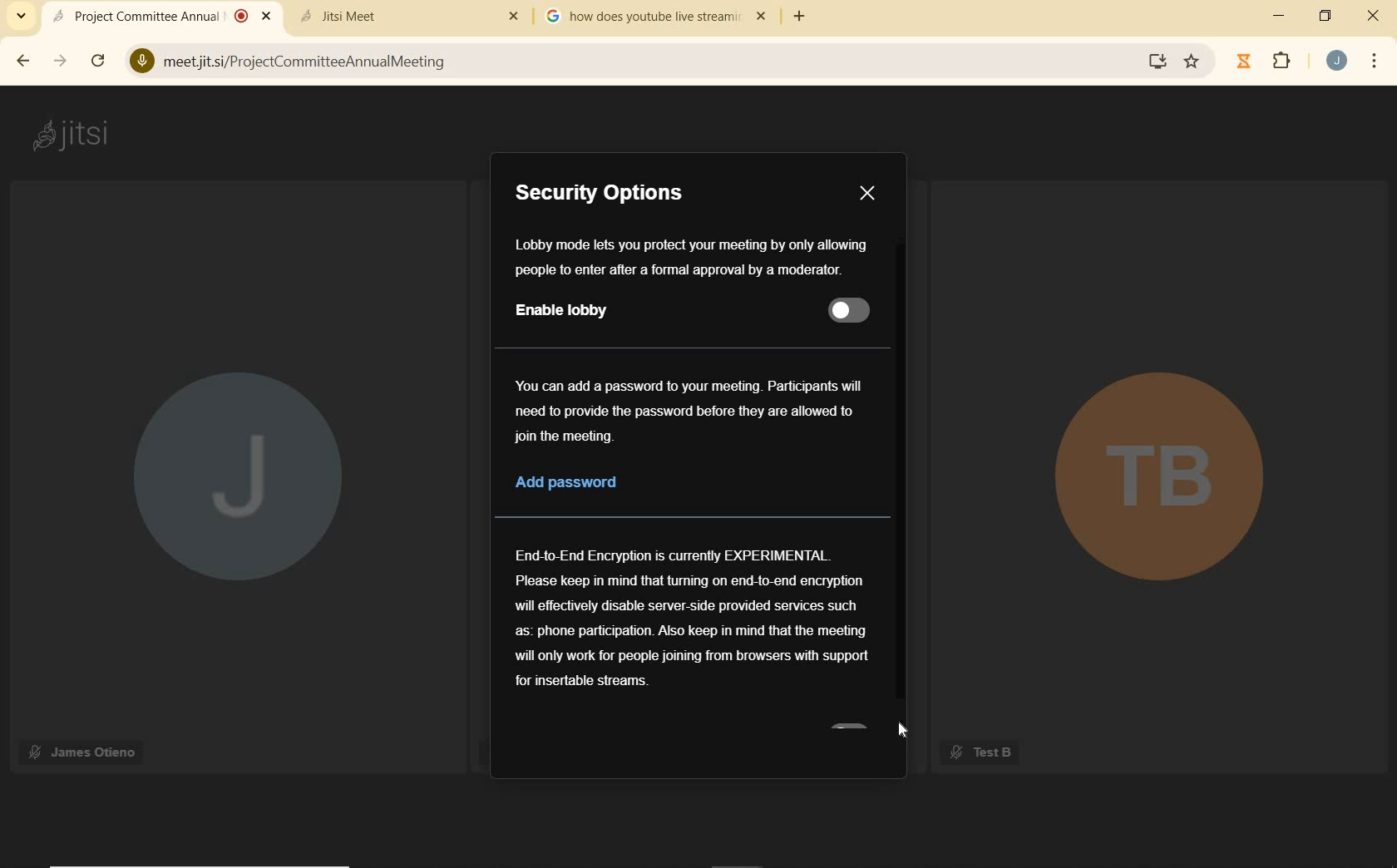 This screenshot has height=868, width=1397. What do you see at coordinates (607, 194) in the screenshot?
I see `SECURITY OPTIONS` at bounding box center [607, 194].